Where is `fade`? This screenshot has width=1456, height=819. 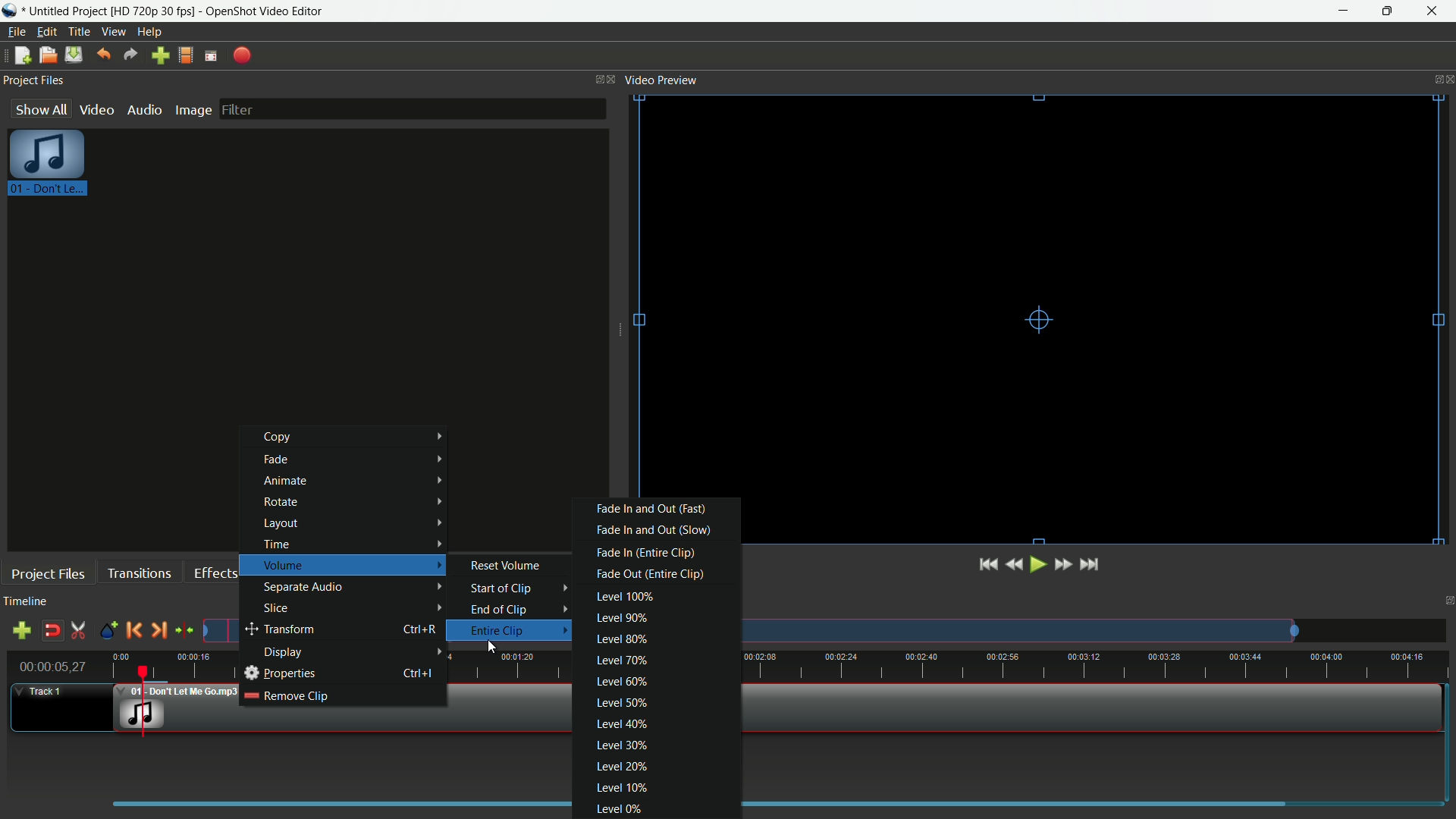
fade is located at coordinates (359, 460).